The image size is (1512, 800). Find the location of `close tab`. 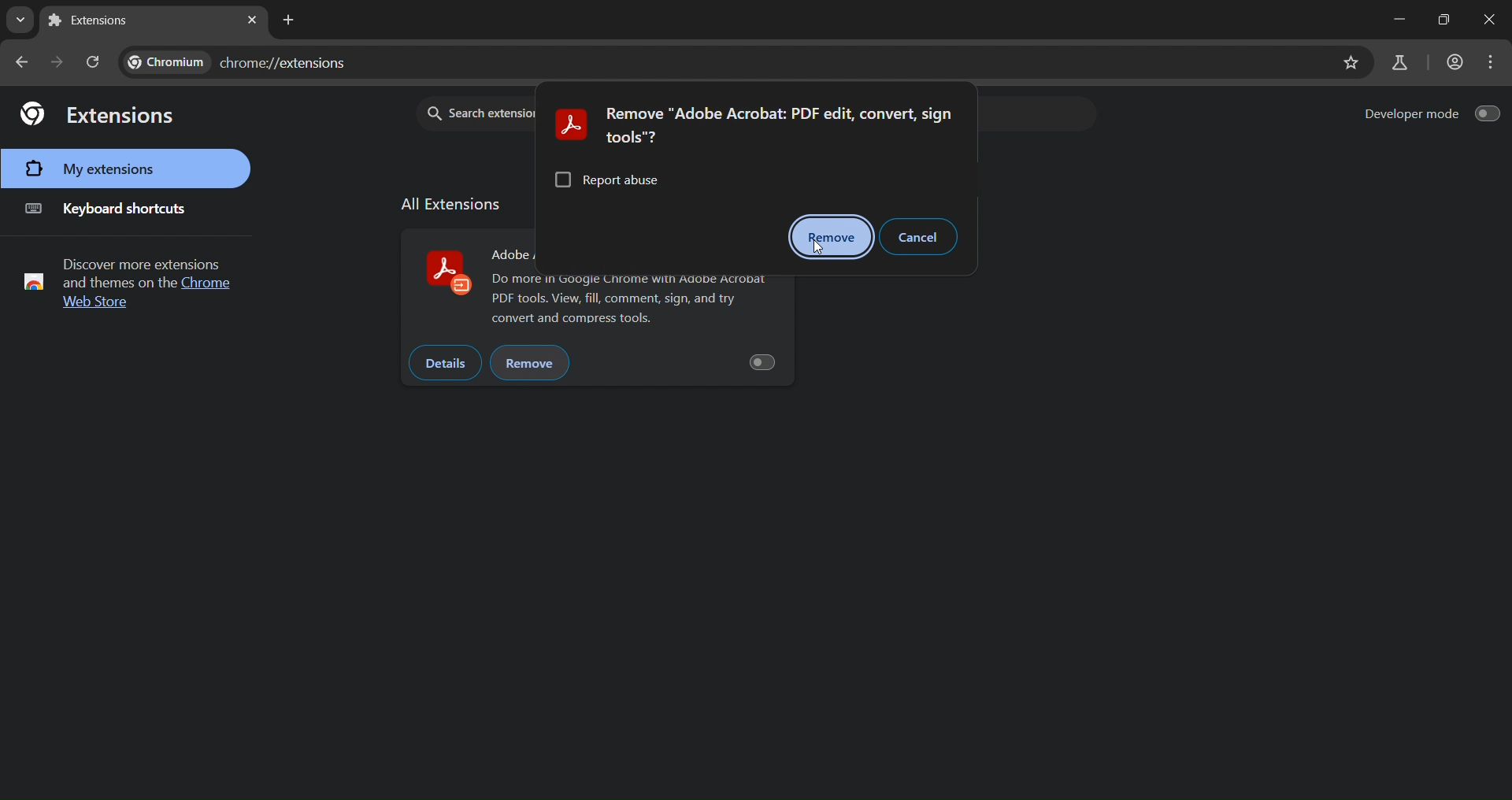

close tab is located at coordinates (252, 20).